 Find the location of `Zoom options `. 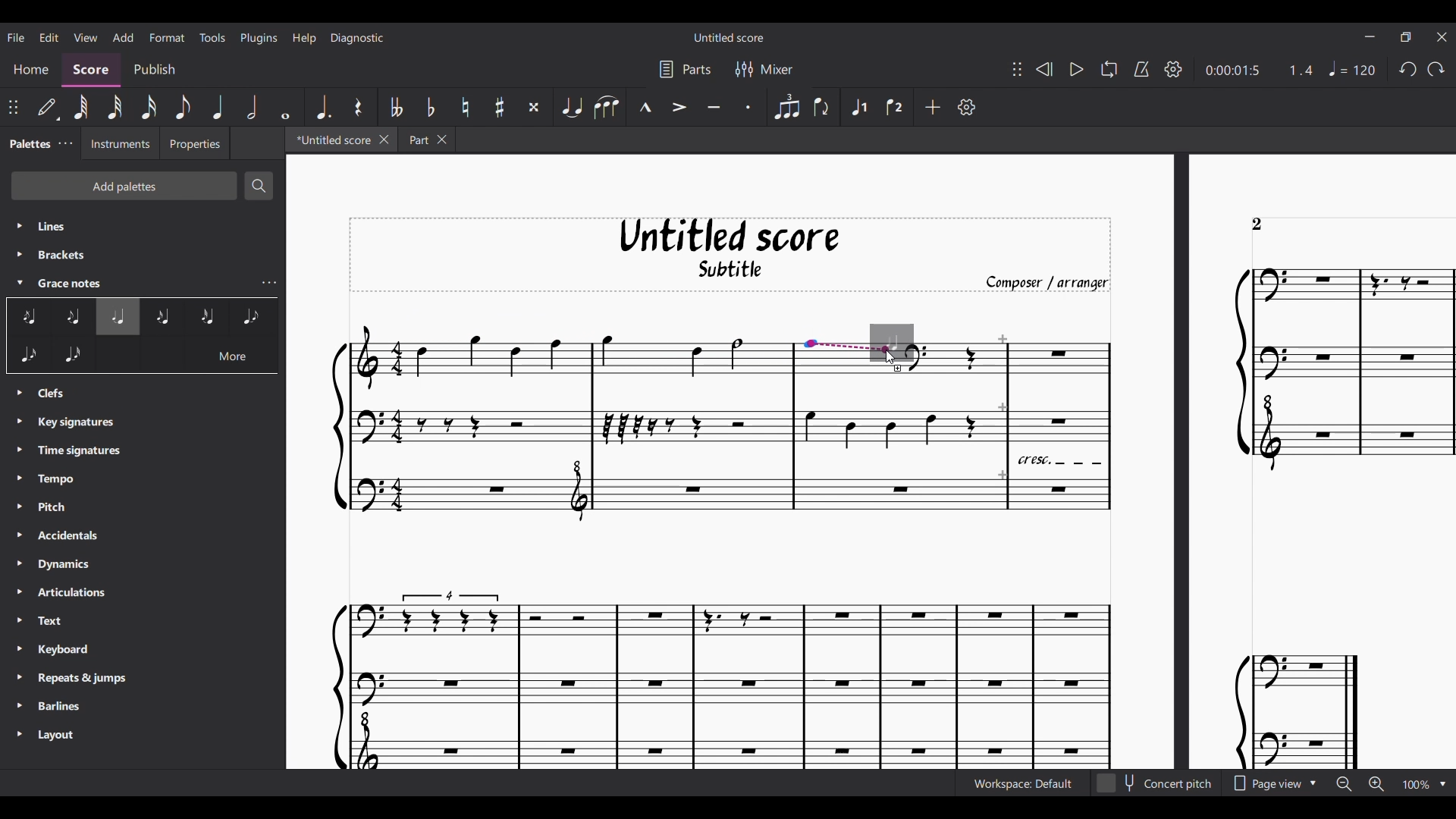

Zoom options  is located at coordinates (1443, 784).